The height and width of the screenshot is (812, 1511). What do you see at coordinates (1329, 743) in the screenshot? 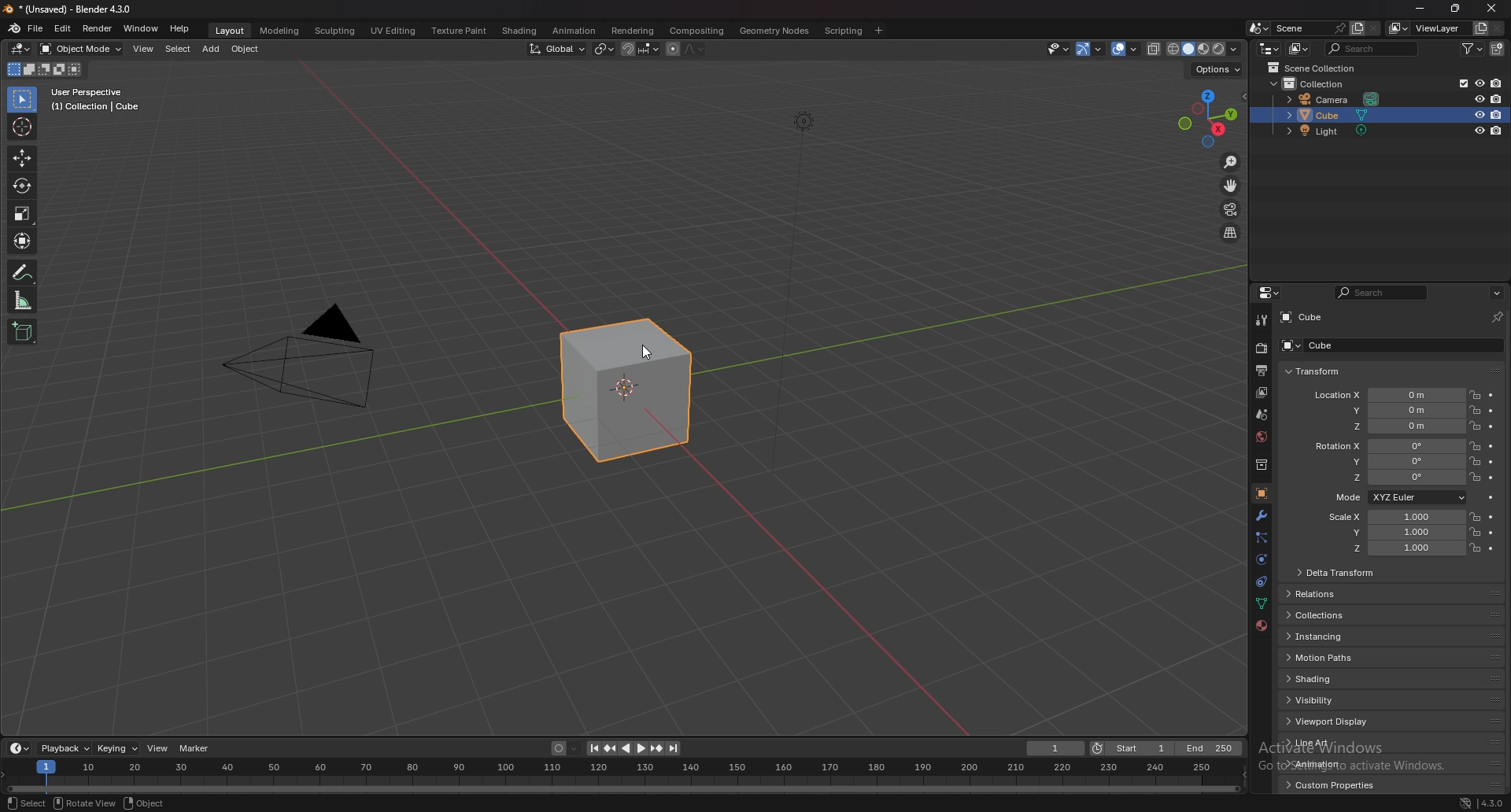
I see `line art` at bounding box center [1329, 743].